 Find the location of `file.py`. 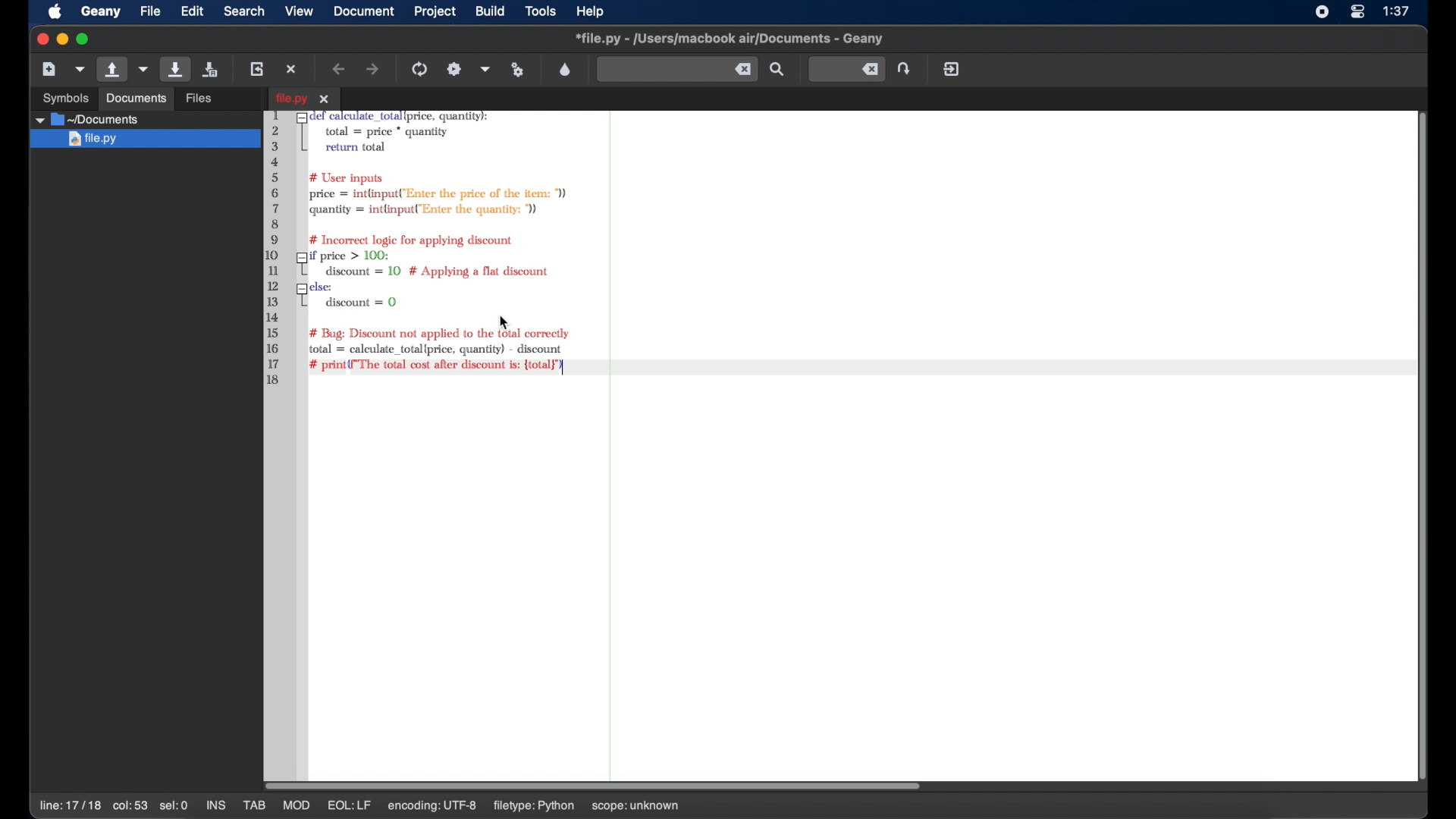

file.py is located at coordinates (304, 98).